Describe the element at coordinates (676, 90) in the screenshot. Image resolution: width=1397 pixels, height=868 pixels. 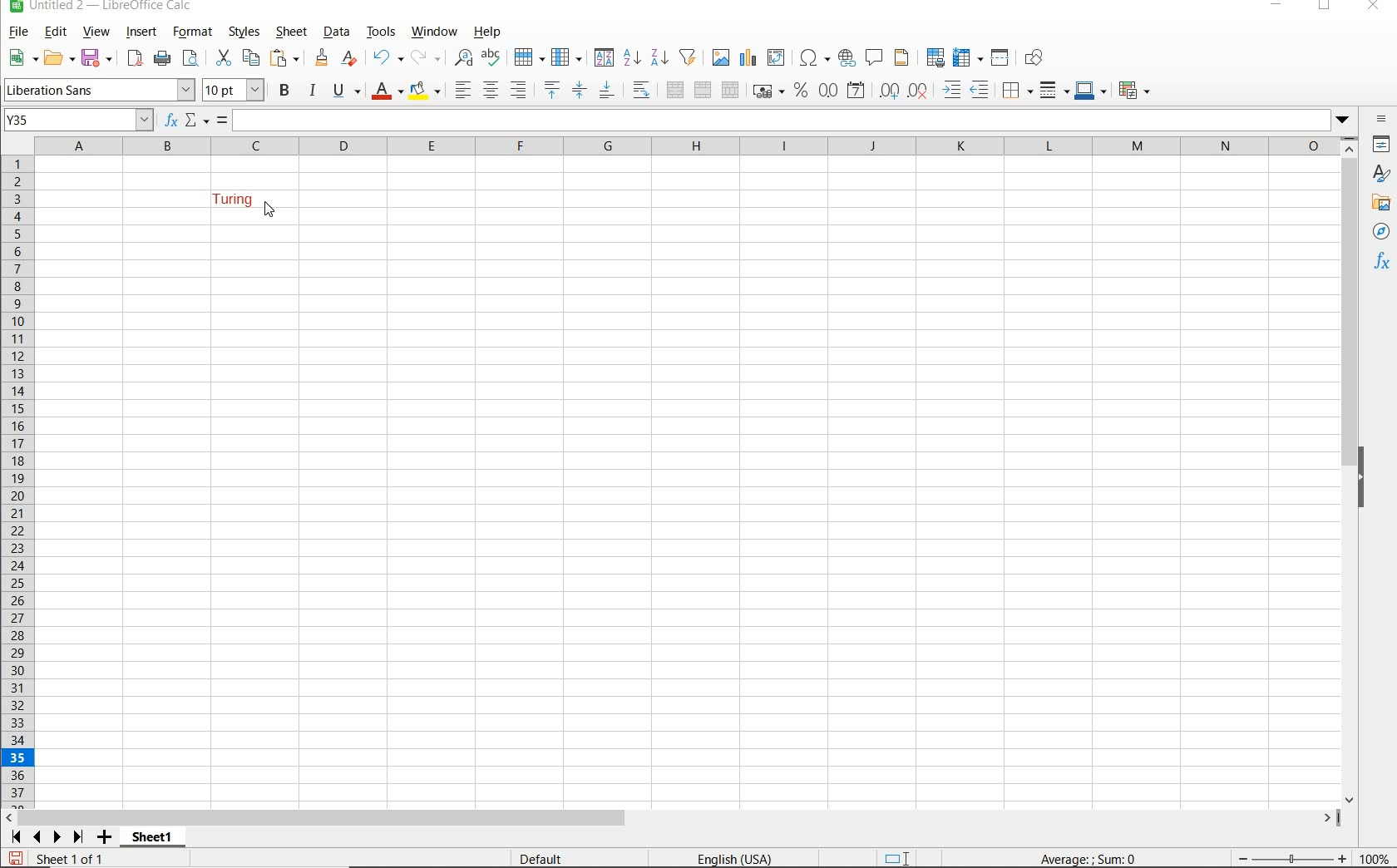
I see `MERGE AND CENTER OR UNMERGE` at that location.